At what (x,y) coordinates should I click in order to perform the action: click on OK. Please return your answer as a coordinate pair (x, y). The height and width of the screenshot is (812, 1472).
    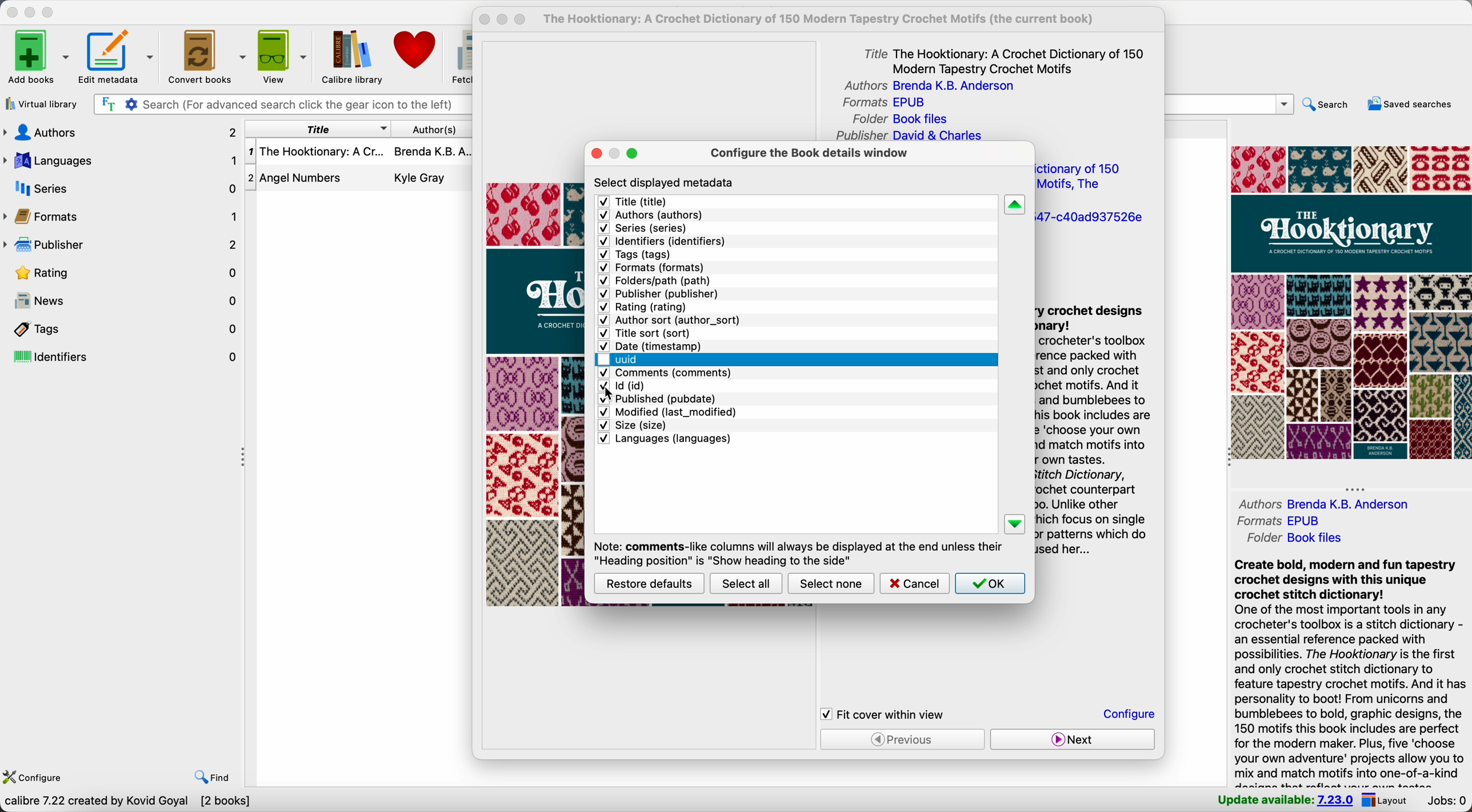
    Looking at the image, I should click on (990, 583).